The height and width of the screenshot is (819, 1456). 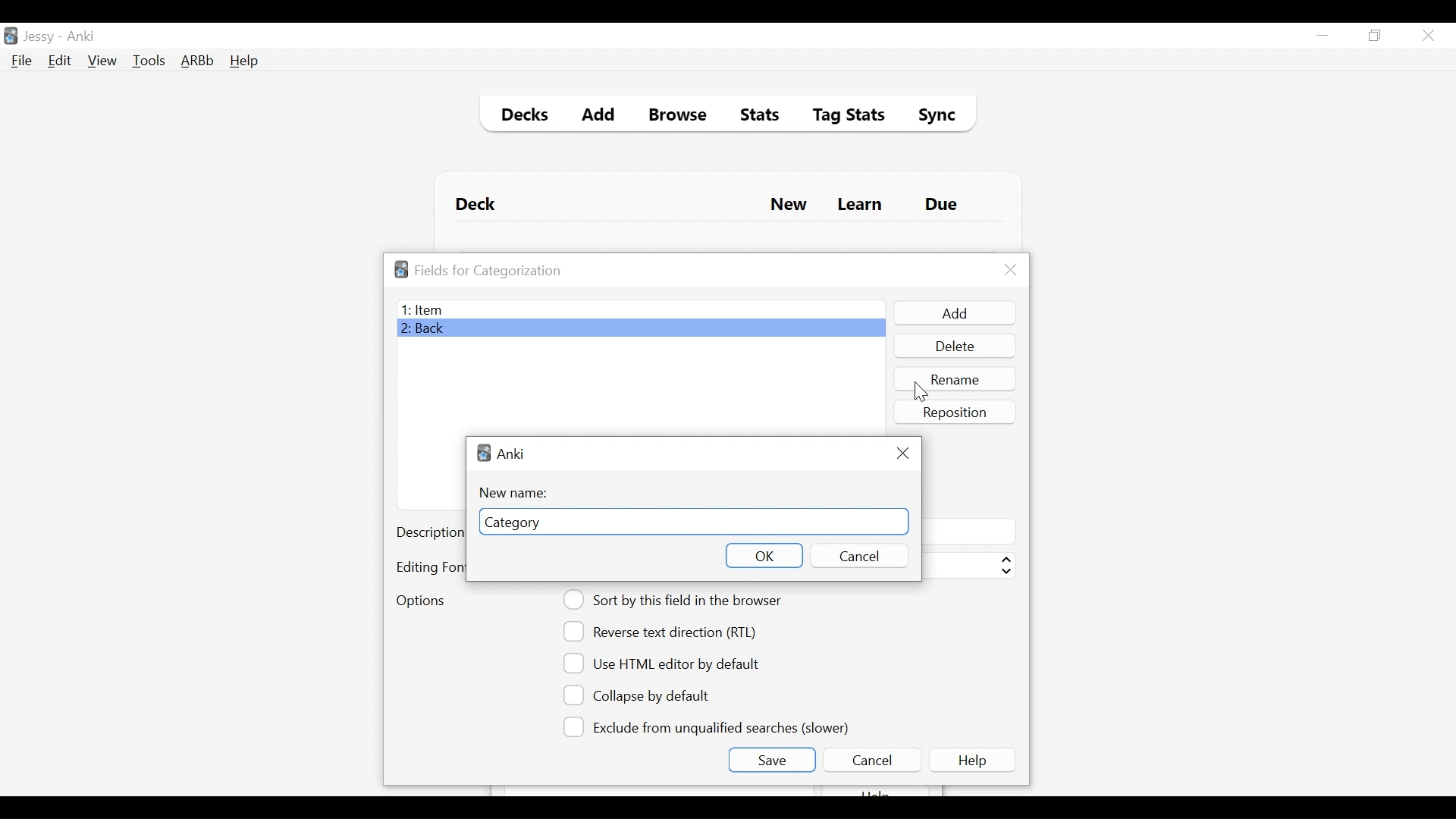 I want to click on Stats, so click(x=755, y=115).